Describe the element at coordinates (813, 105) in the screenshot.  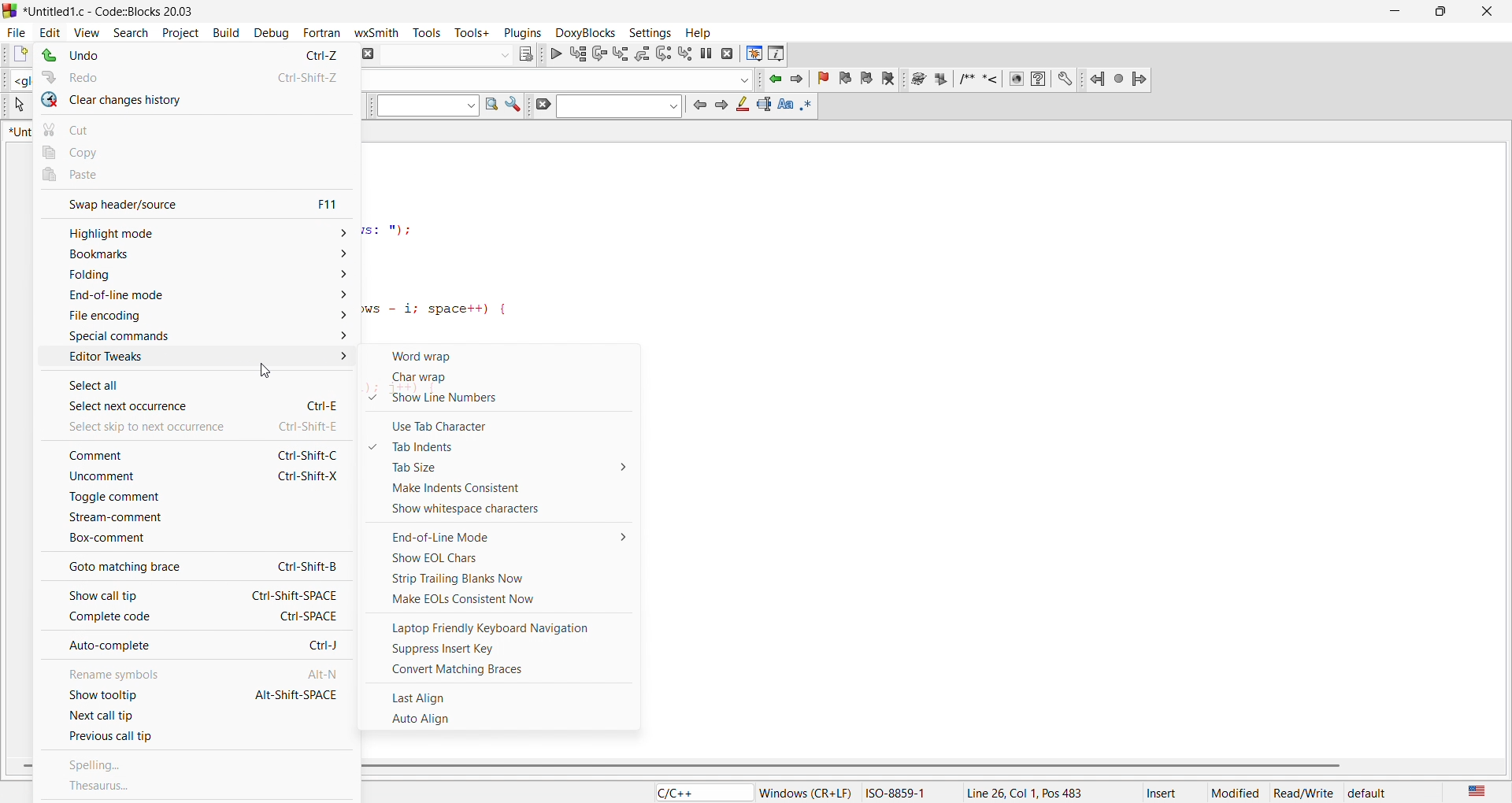
I see `icon` at that location.